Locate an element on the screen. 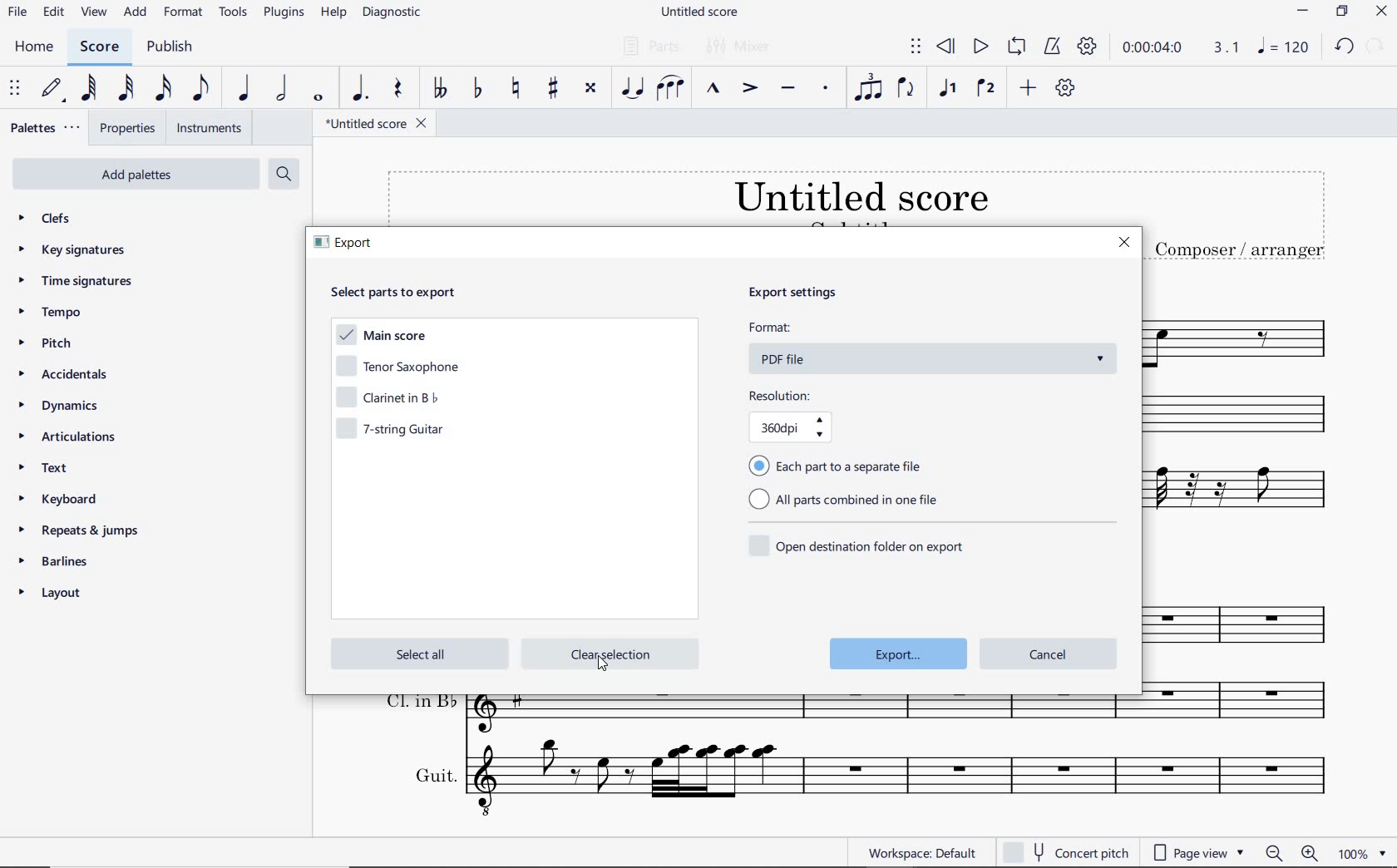  cursor is located at coordinates (604, 667).